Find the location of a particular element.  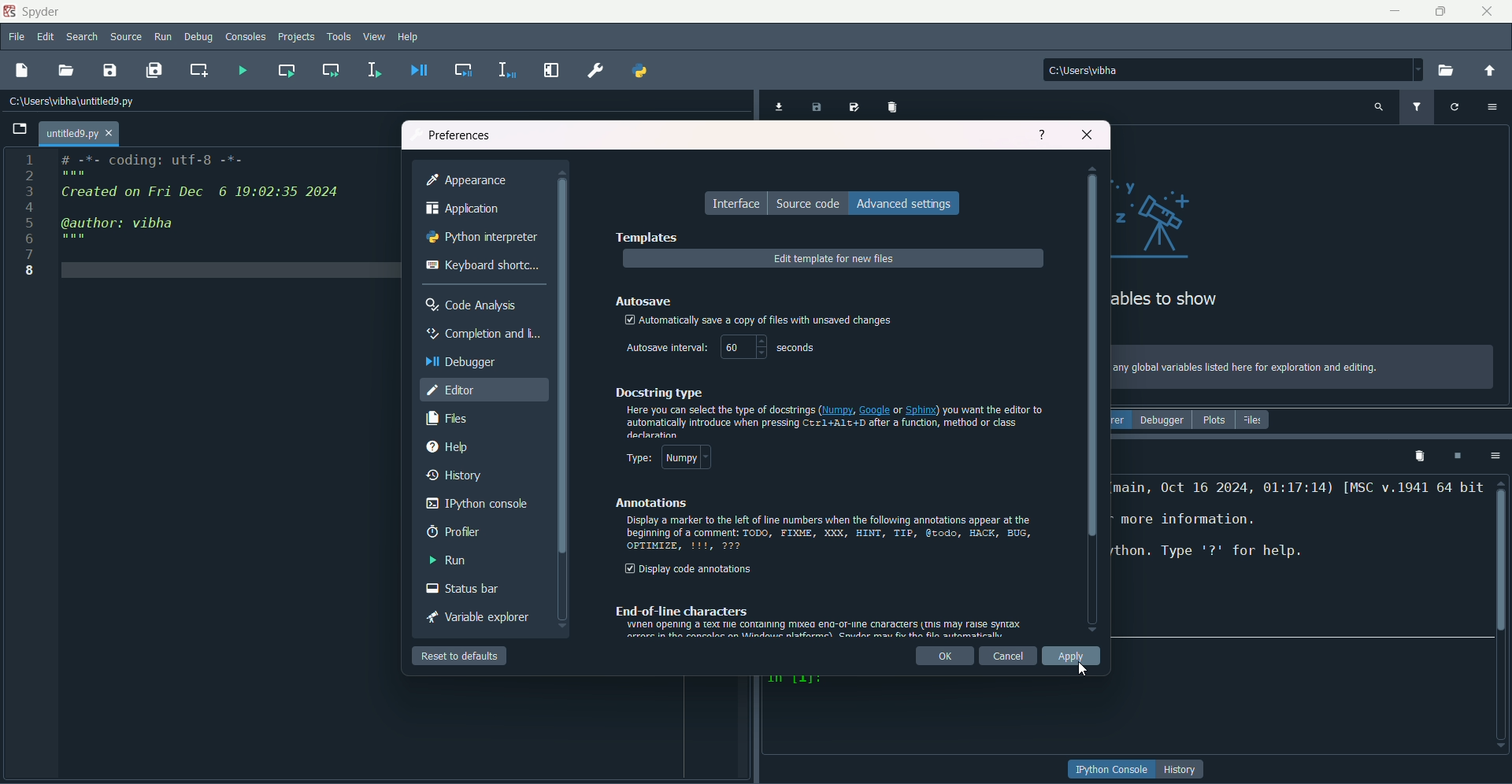

file path is located at coordinates (1112, 69).